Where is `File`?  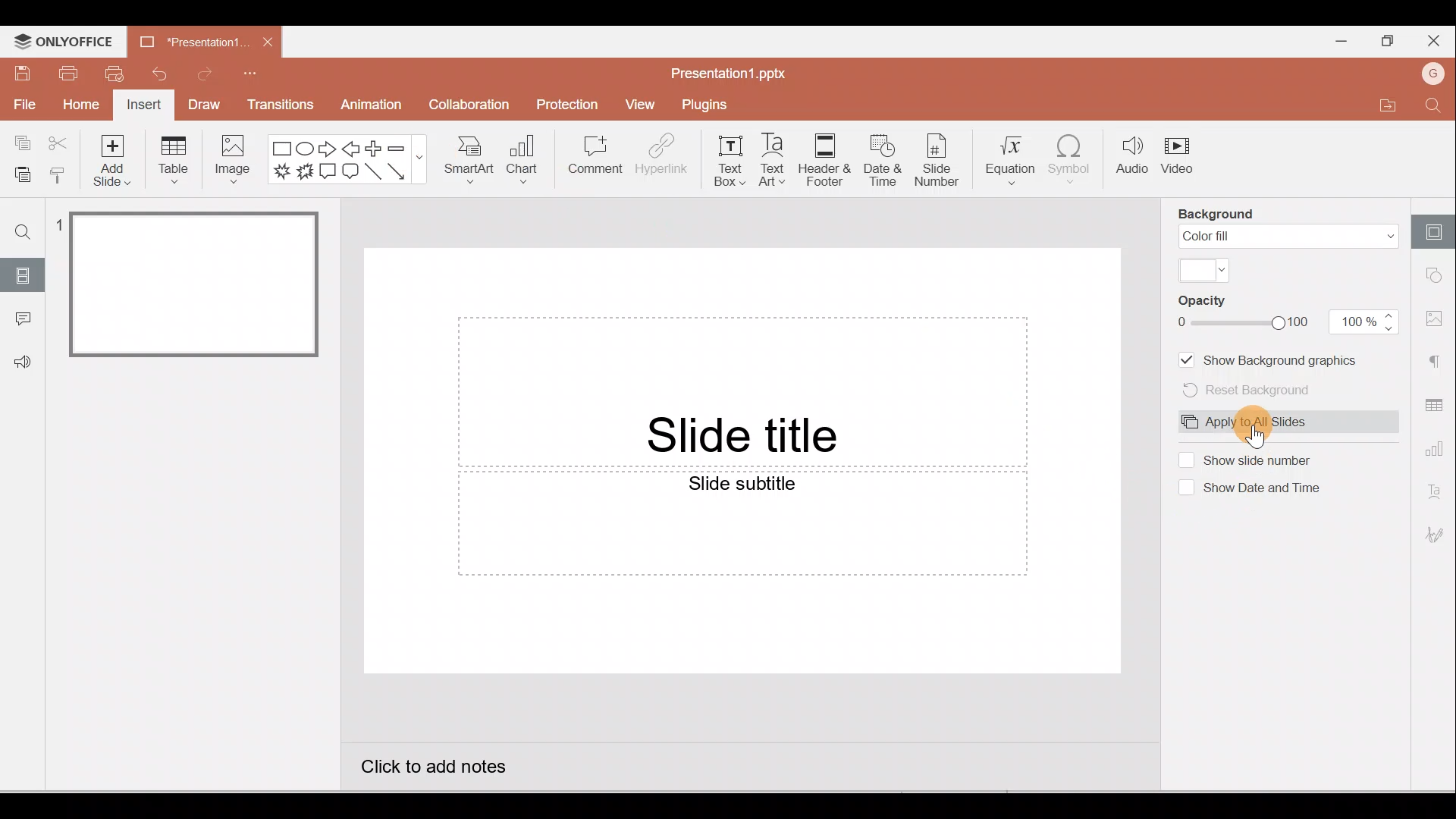 File is located at coordinates (23, 106).